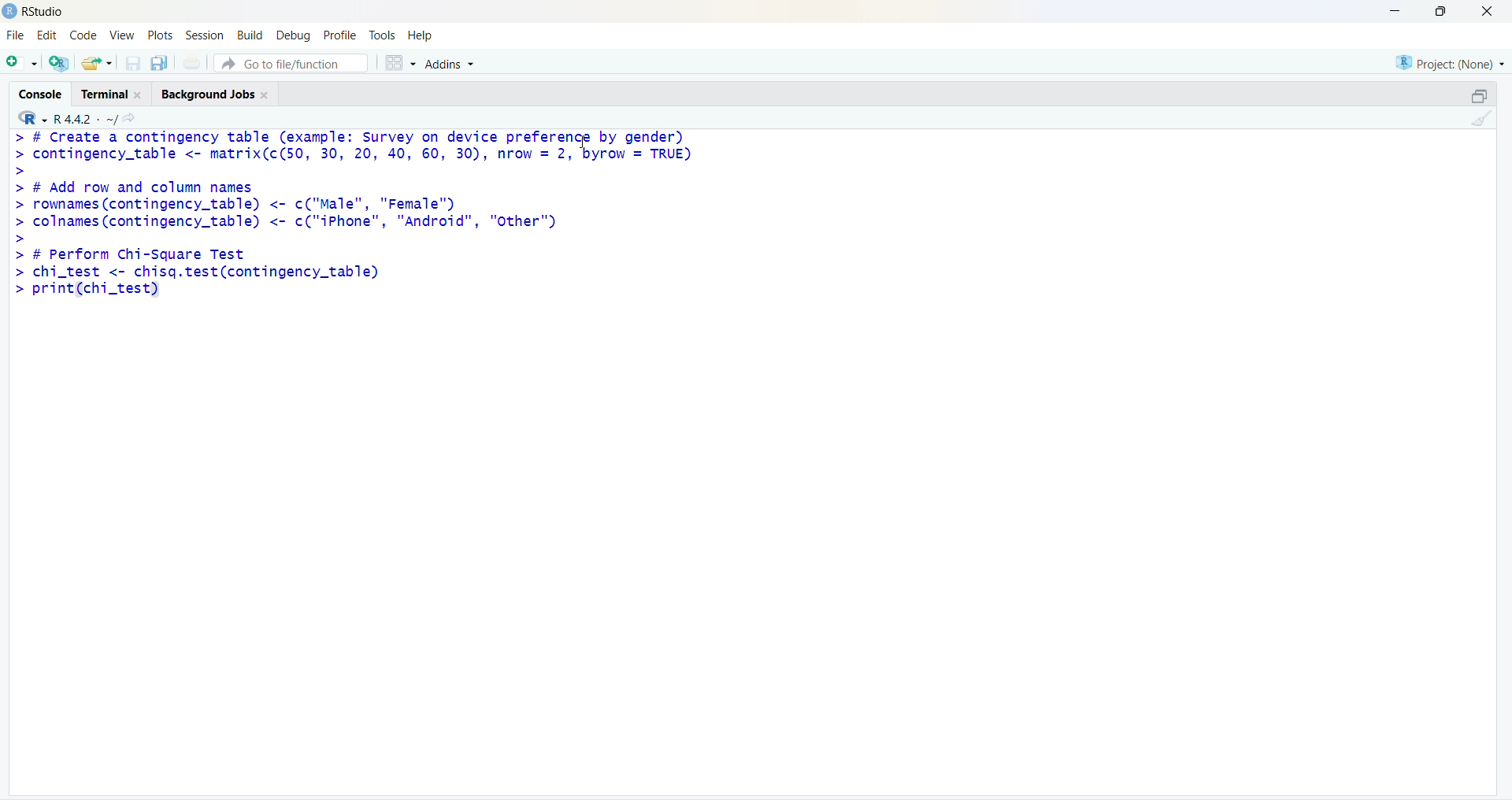 The height and width of the screenshot is (800, 1512). I want to click on >, so click(22, 239).